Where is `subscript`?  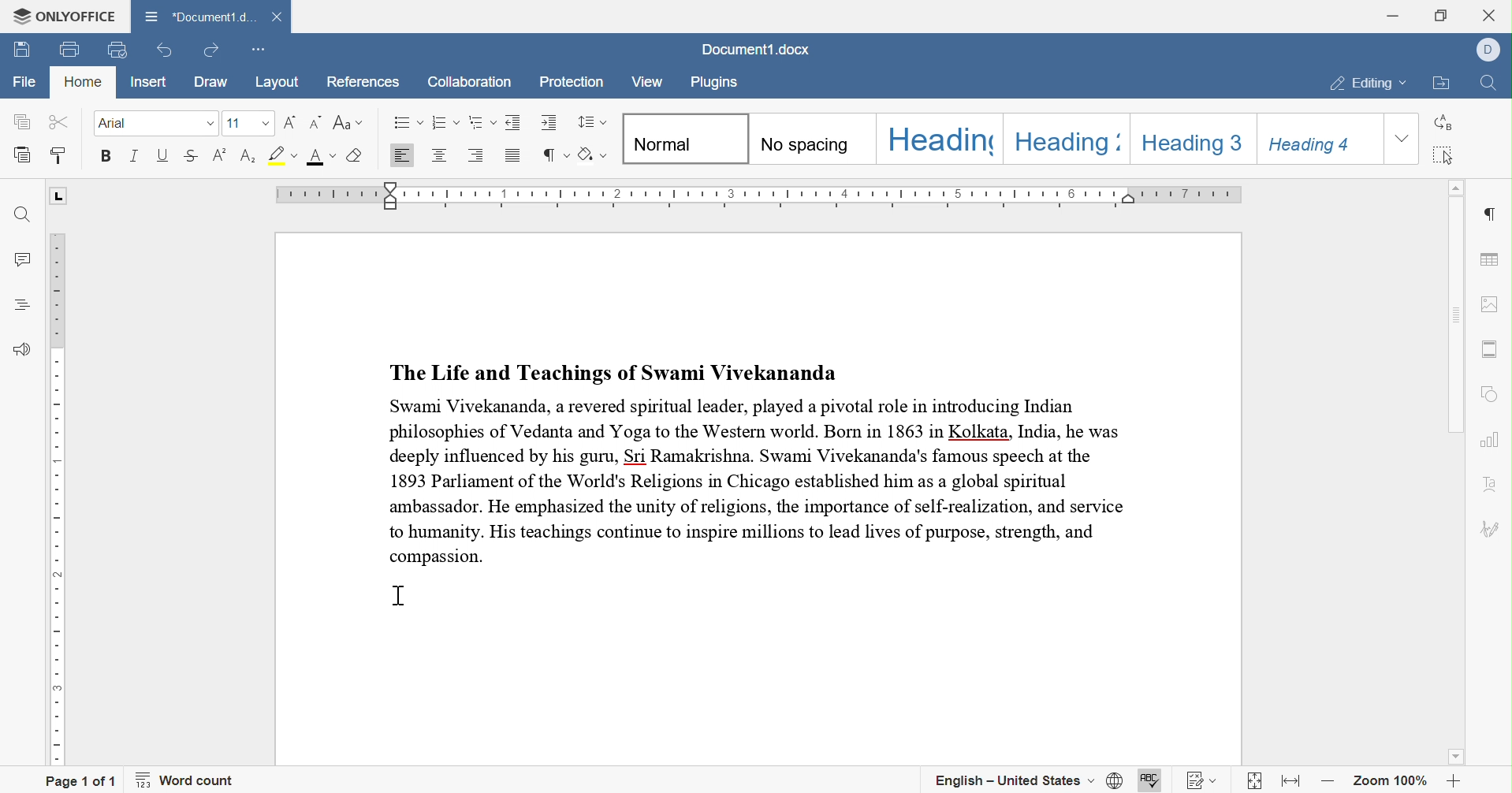 subscript is located at coordinates (248, 156).